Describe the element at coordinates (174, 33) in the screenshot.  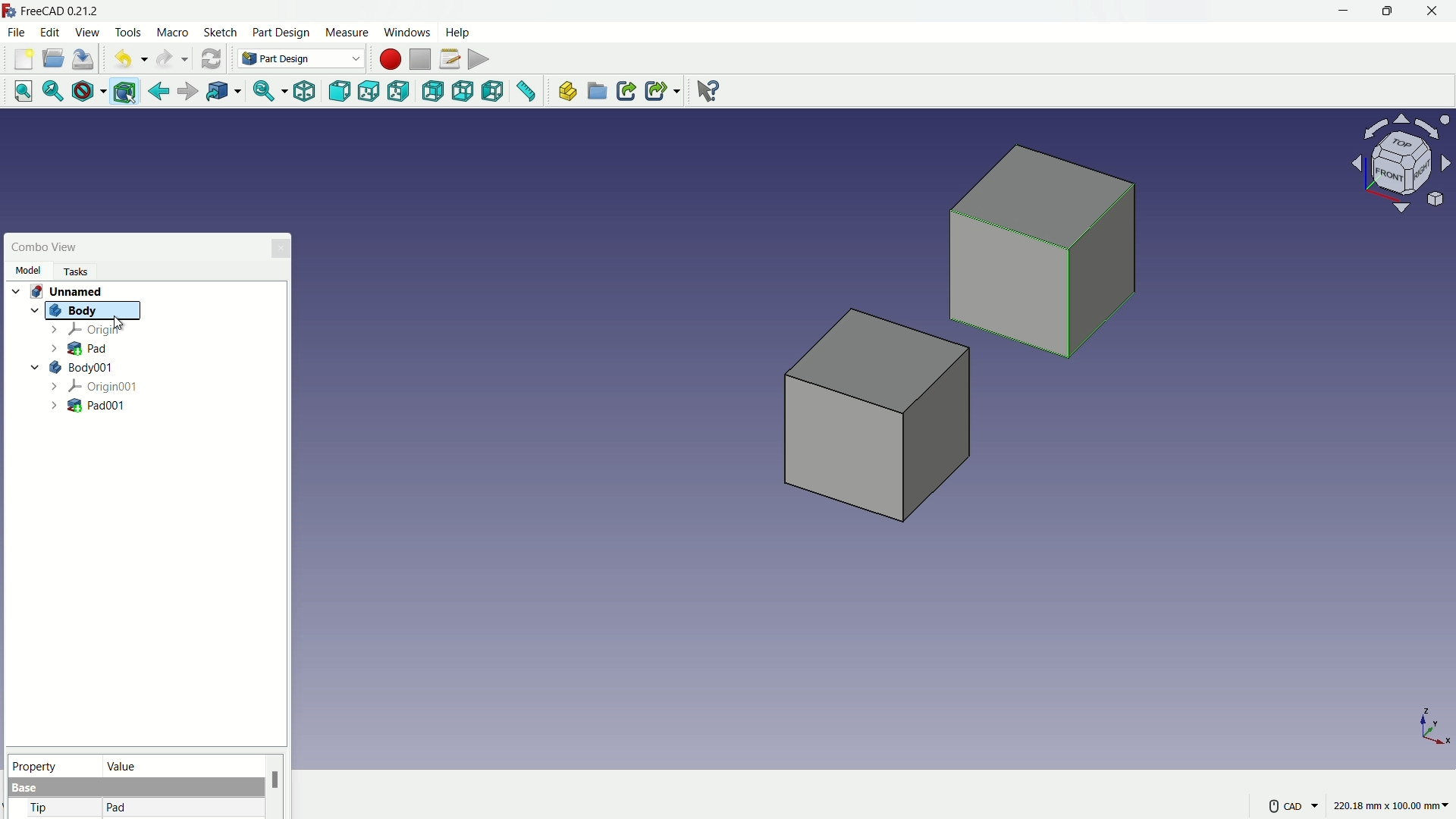
I see `macro` at that location.